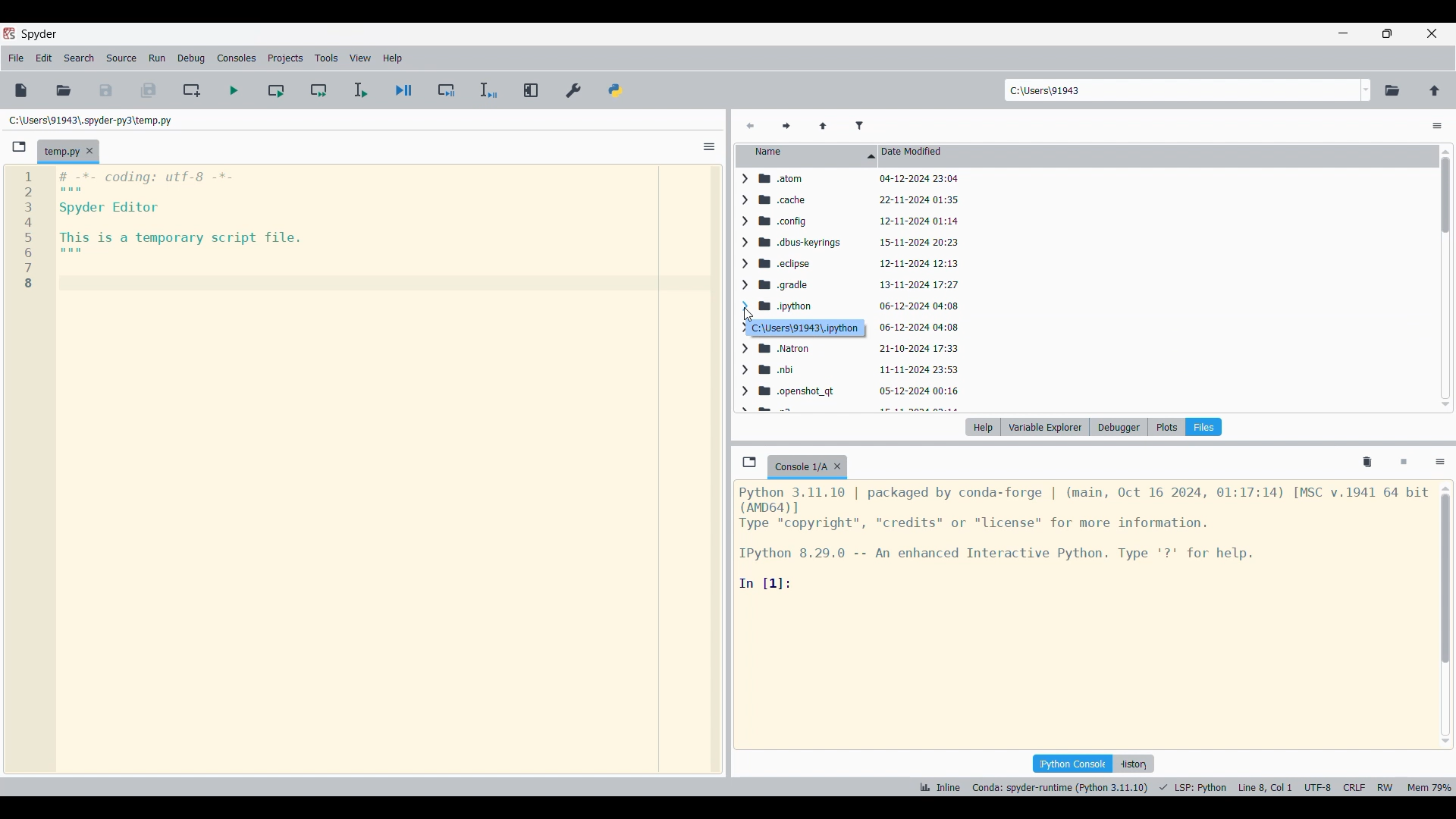 The height and width of the screenshot is (819, 1456). I want to click on Interrupt kernel, so click(1404, 463).